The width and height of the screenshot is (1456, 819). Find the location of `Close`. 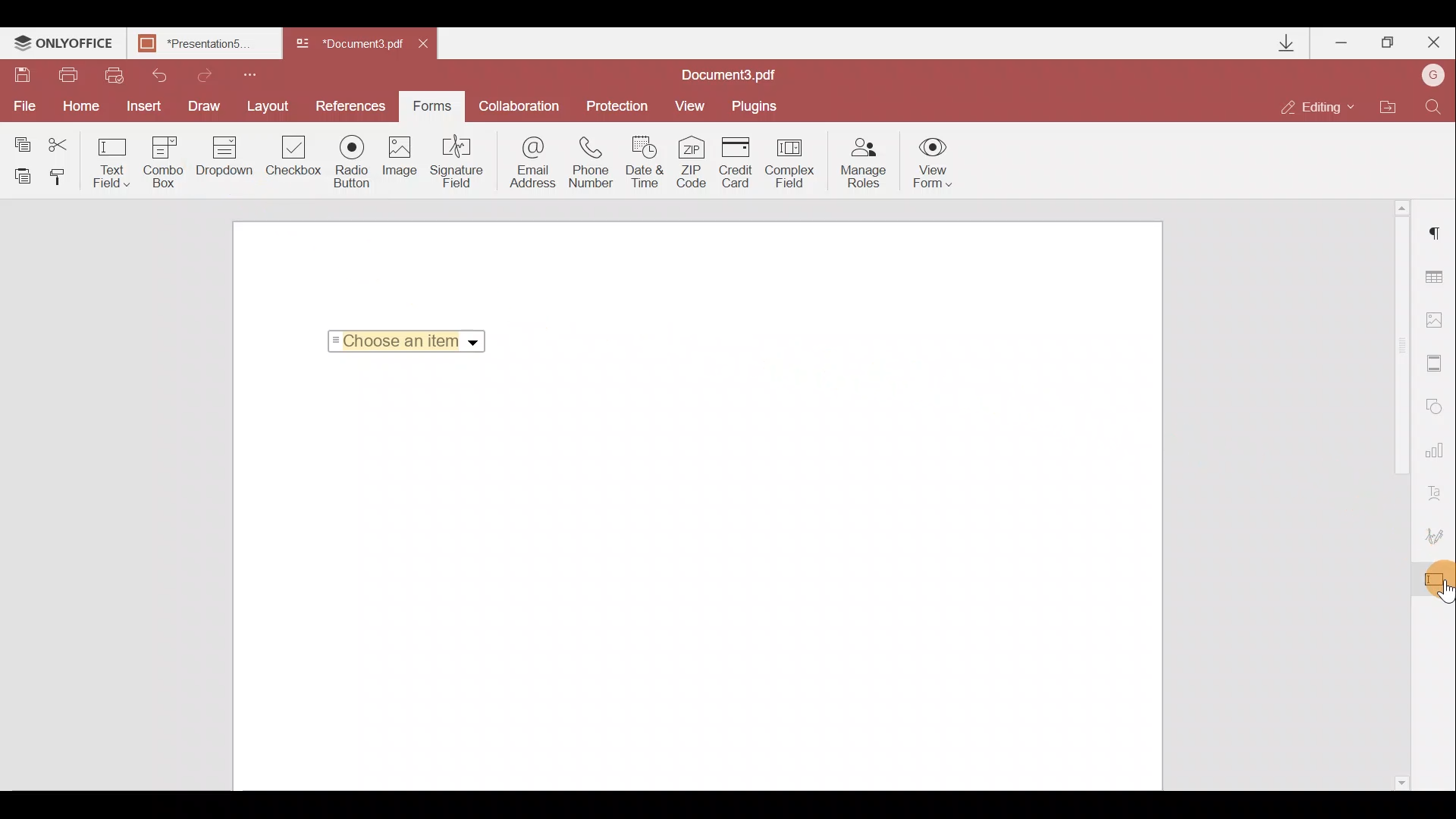

Close is located at coordinates (1432, 43).